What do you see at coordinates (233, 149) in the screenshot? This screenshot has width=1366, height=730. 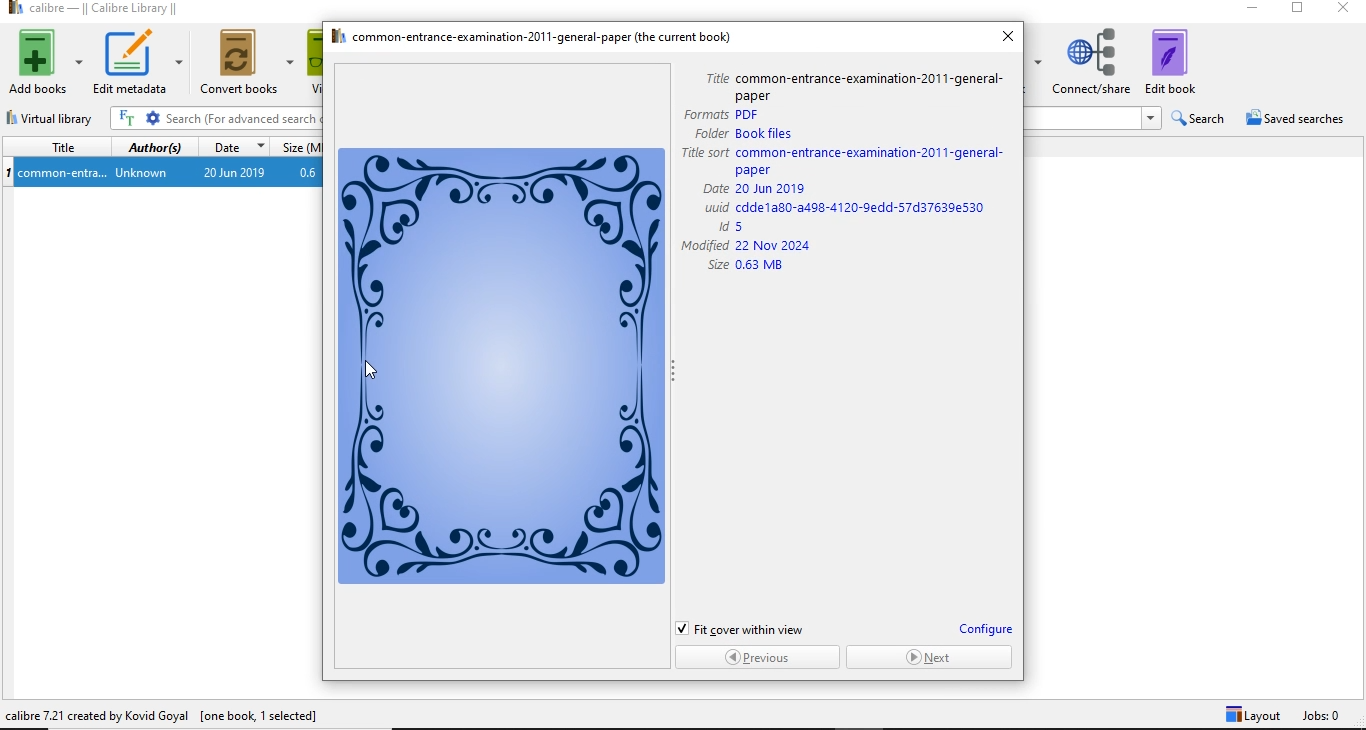 I see `Date` at bounding box center [233, 149].